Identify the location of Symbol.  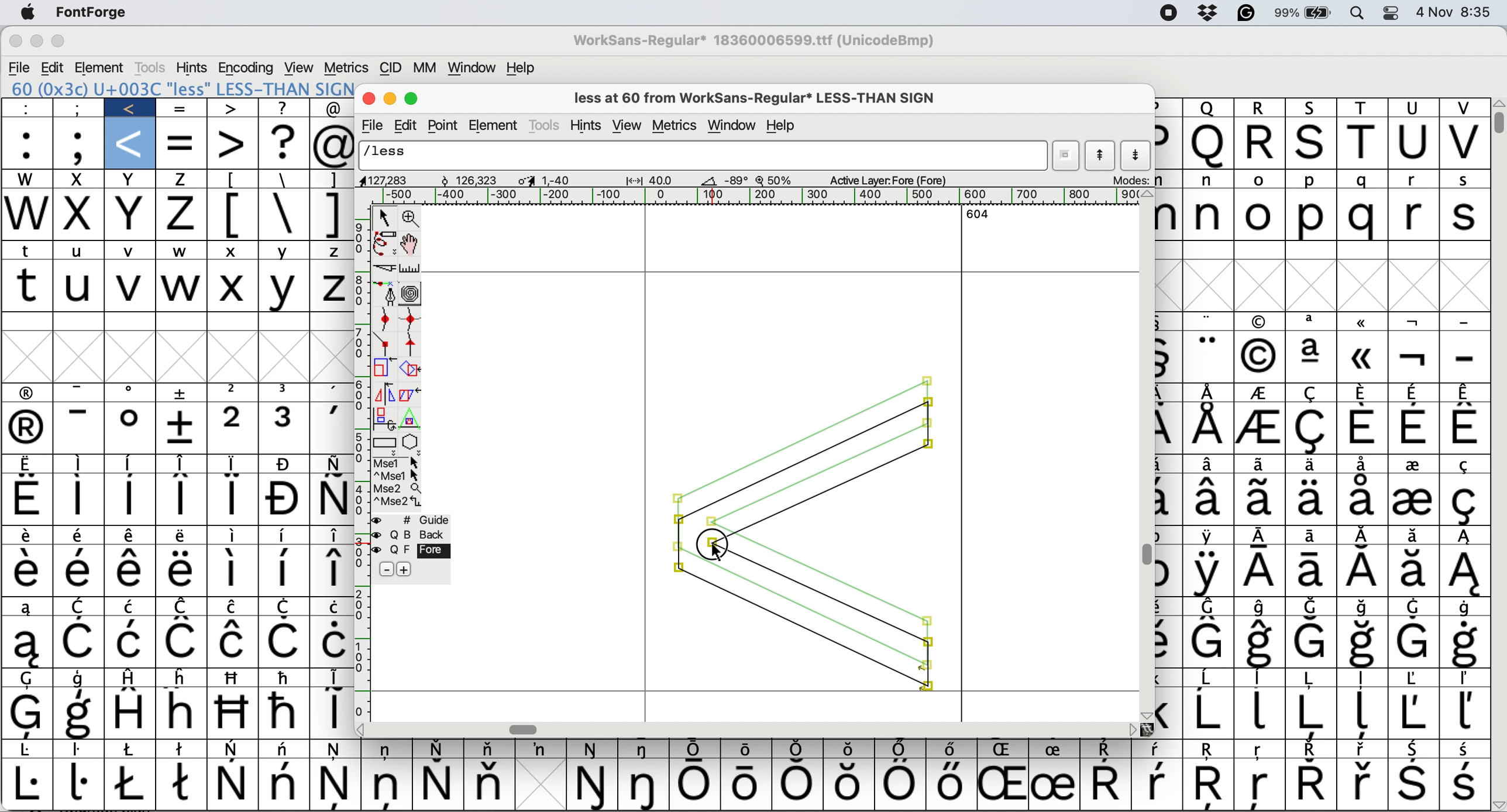
(1207, 643).